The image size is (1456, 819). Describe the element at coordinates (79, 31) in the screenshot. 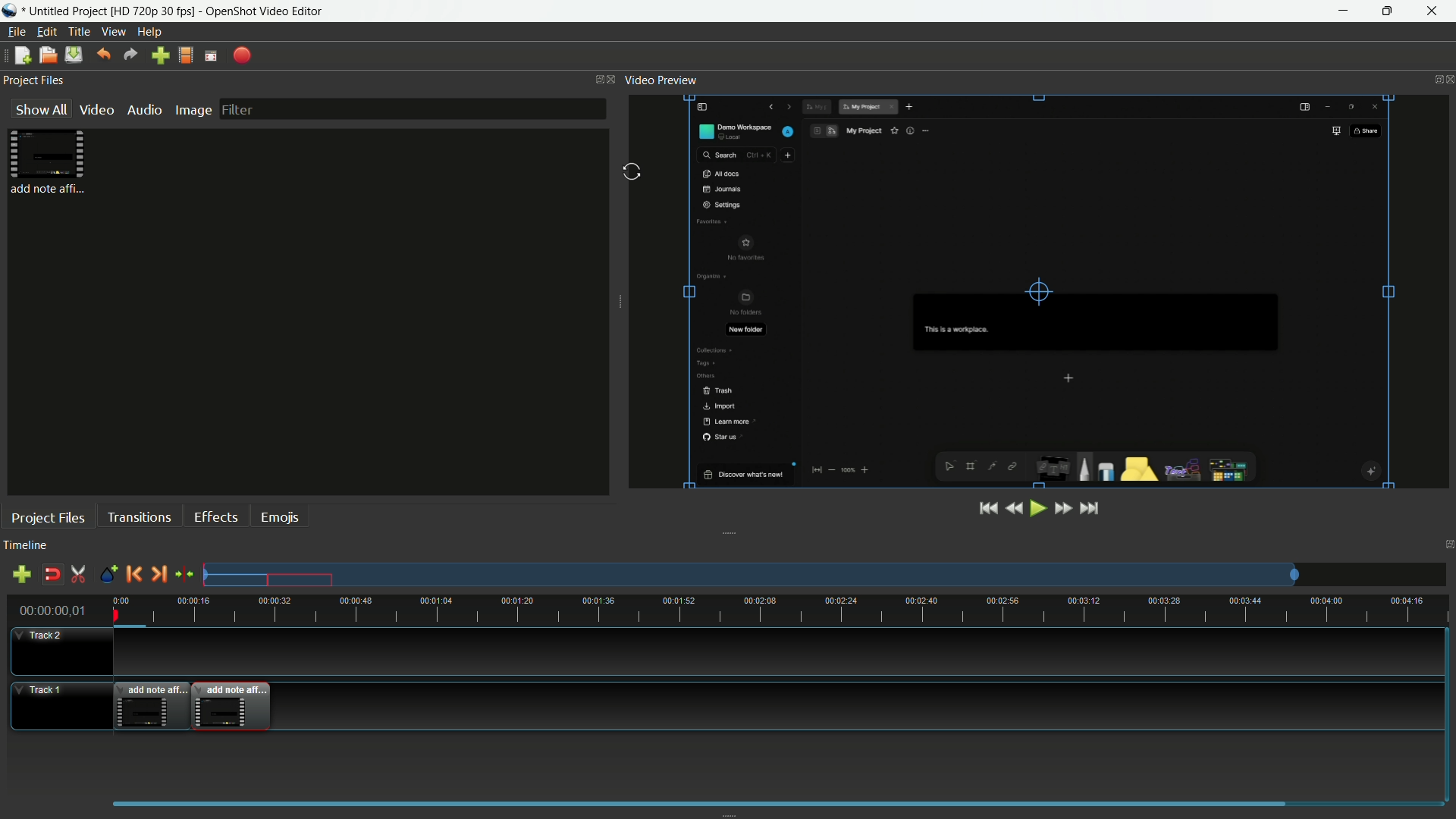

I see `title menu` at that location.